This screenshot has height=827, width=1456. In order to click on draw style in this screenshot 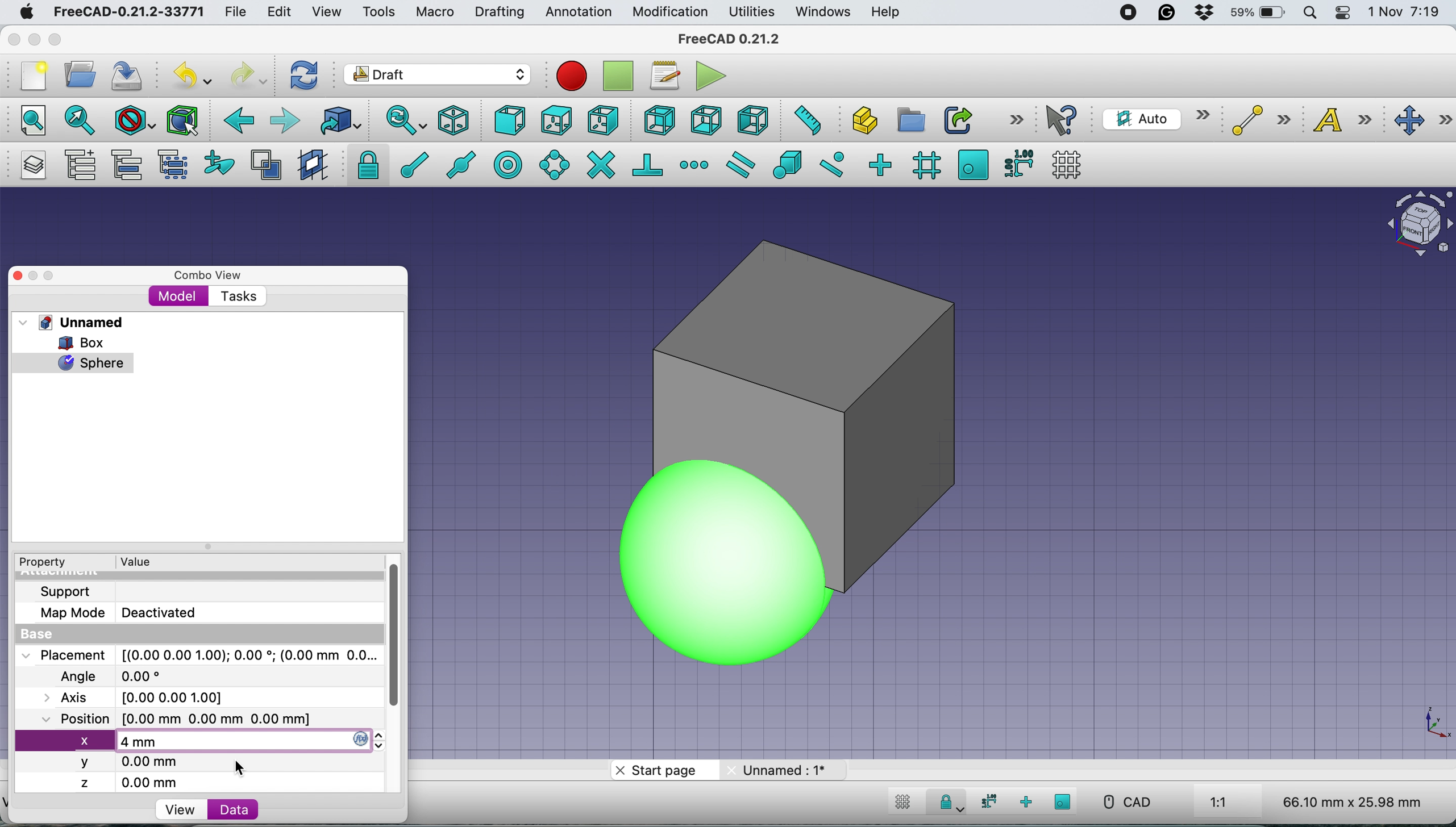, I will do `click(135, 122)`.